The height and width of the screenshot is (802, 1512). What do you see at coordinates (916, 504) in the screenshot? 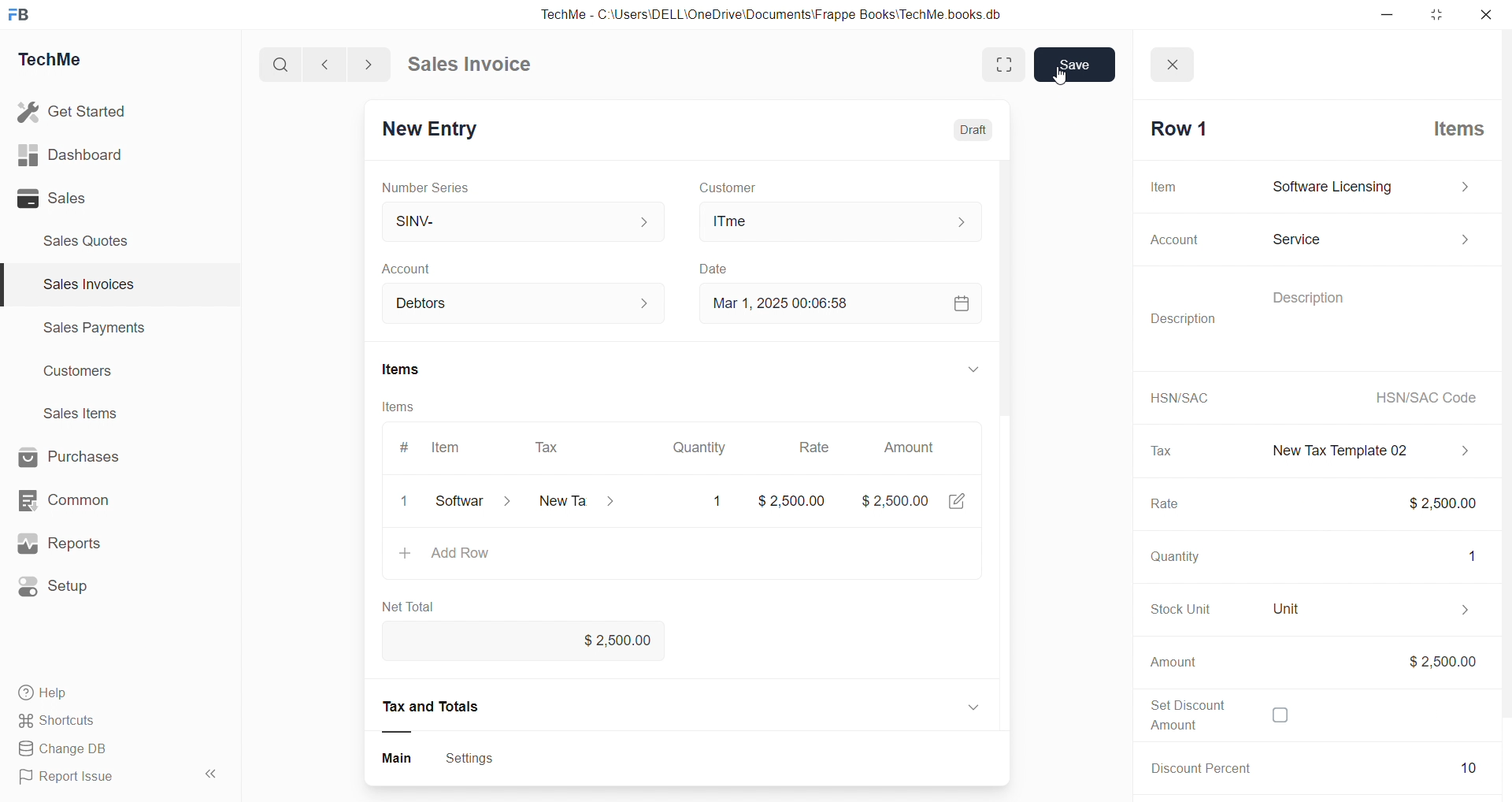
I see `$2,500.00 [4` at bounding box center [916, 504].